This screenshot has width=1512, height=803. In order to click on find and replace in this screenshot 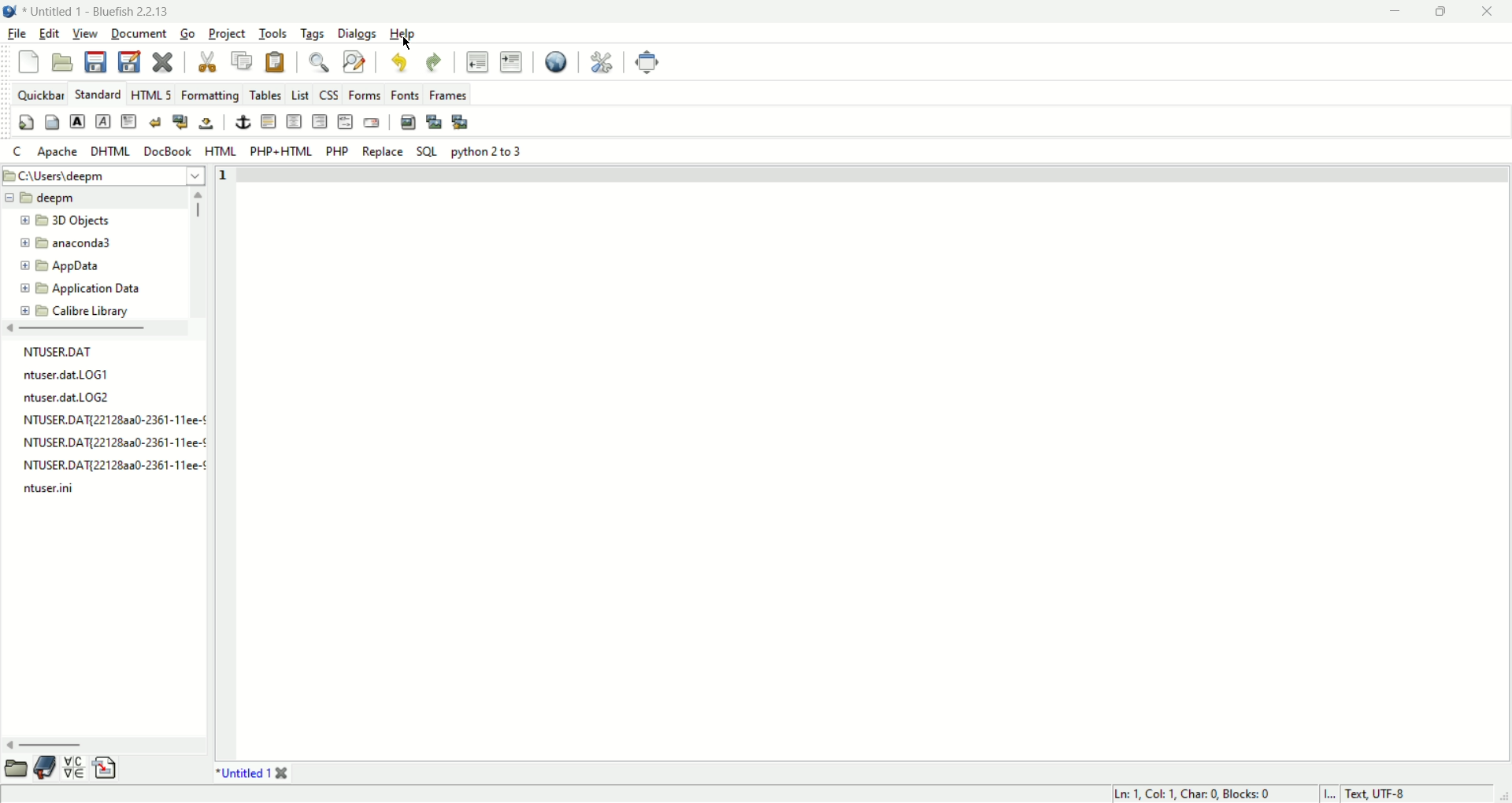, I will do `click(354, 62)`.